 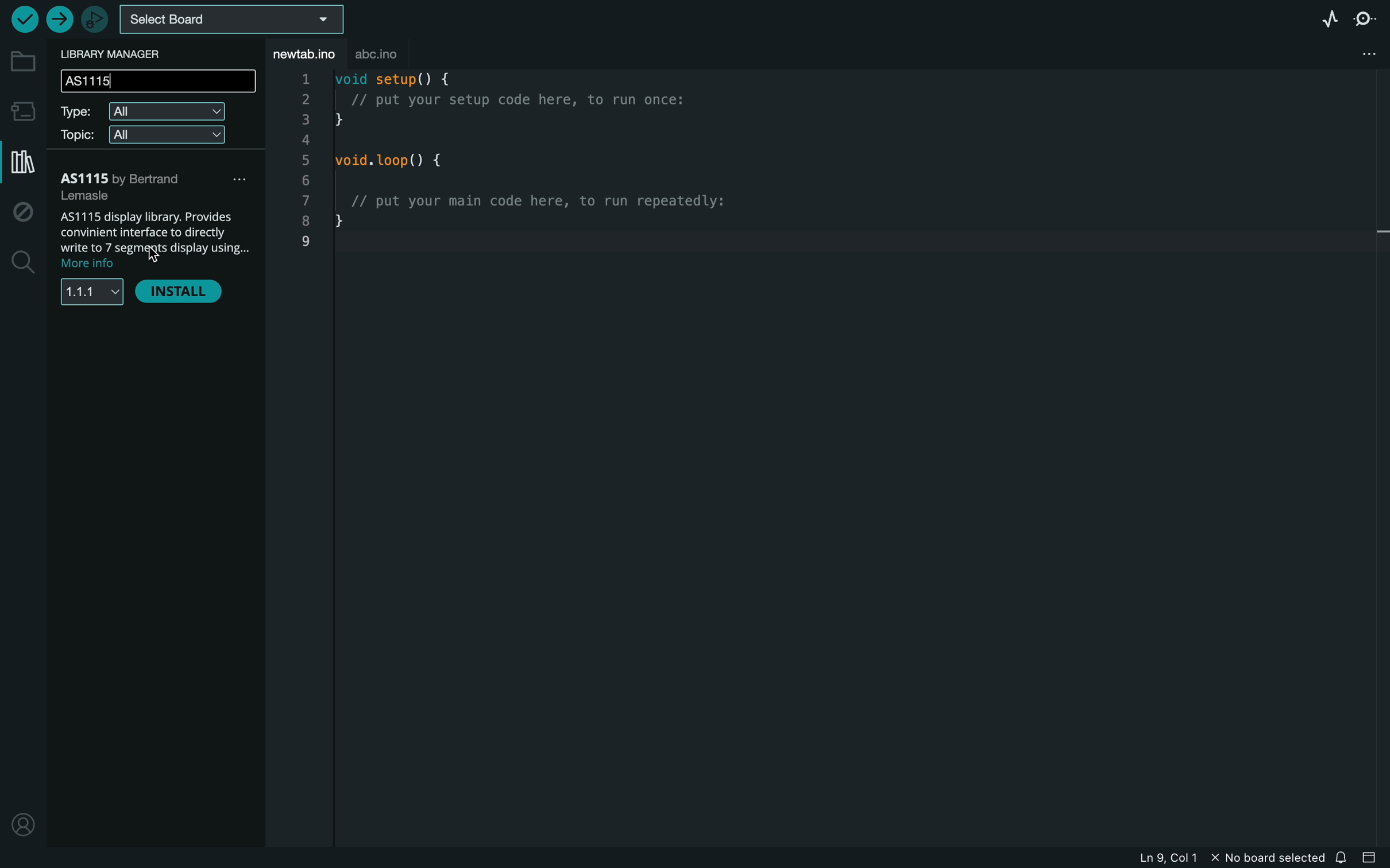 I want to click on install, so click(x=186, y=294).